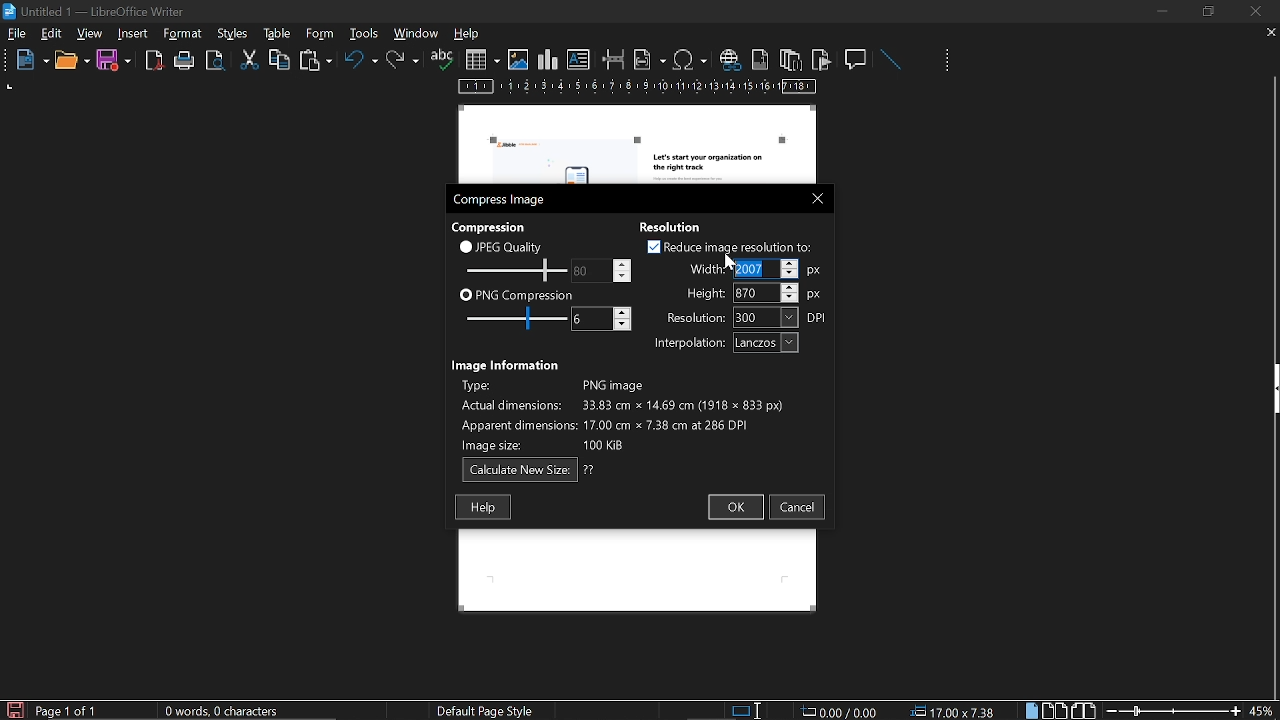  What do you see at coordinates (14, 709) in the screenshot?
I see `save` at bounding box center [14, 709].